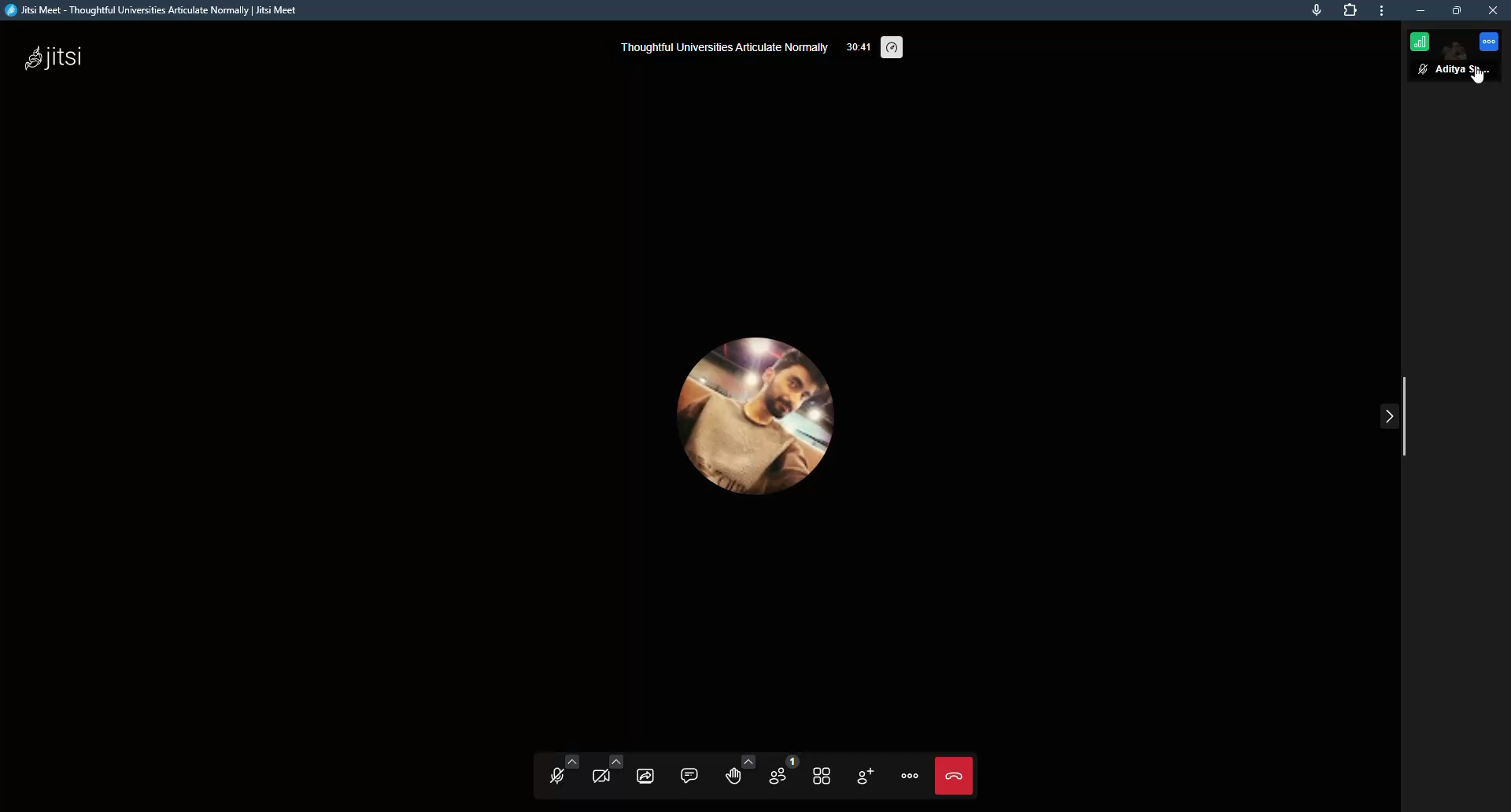  What do you see at coordinates (912, 776) in the screenshot?
I see `more actions` at bounding box center [912, 776].